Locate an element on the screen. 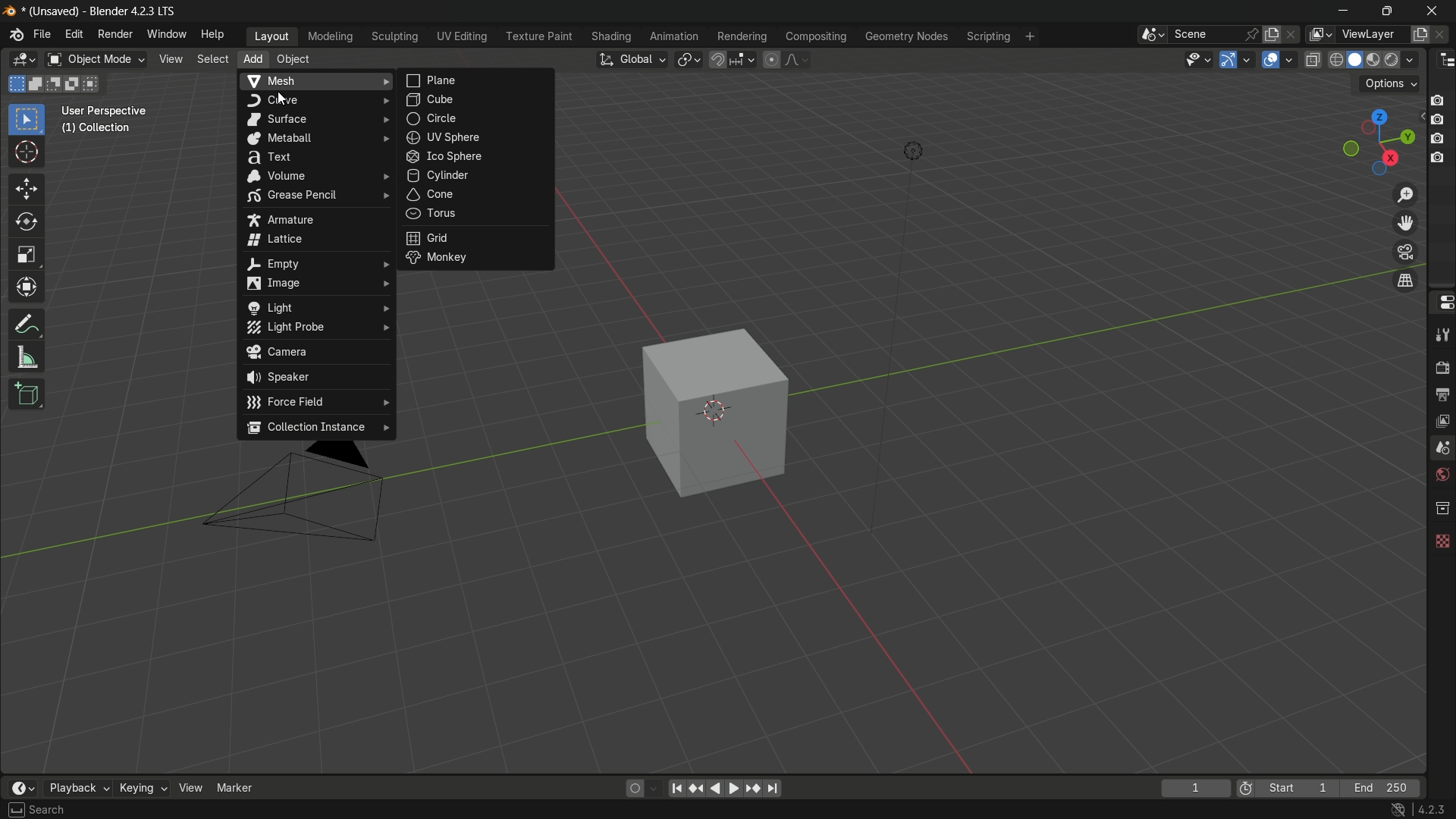 Image resolution: width=1456 pixels, height=819 pixels. render is located at coordinates (1403, 59).